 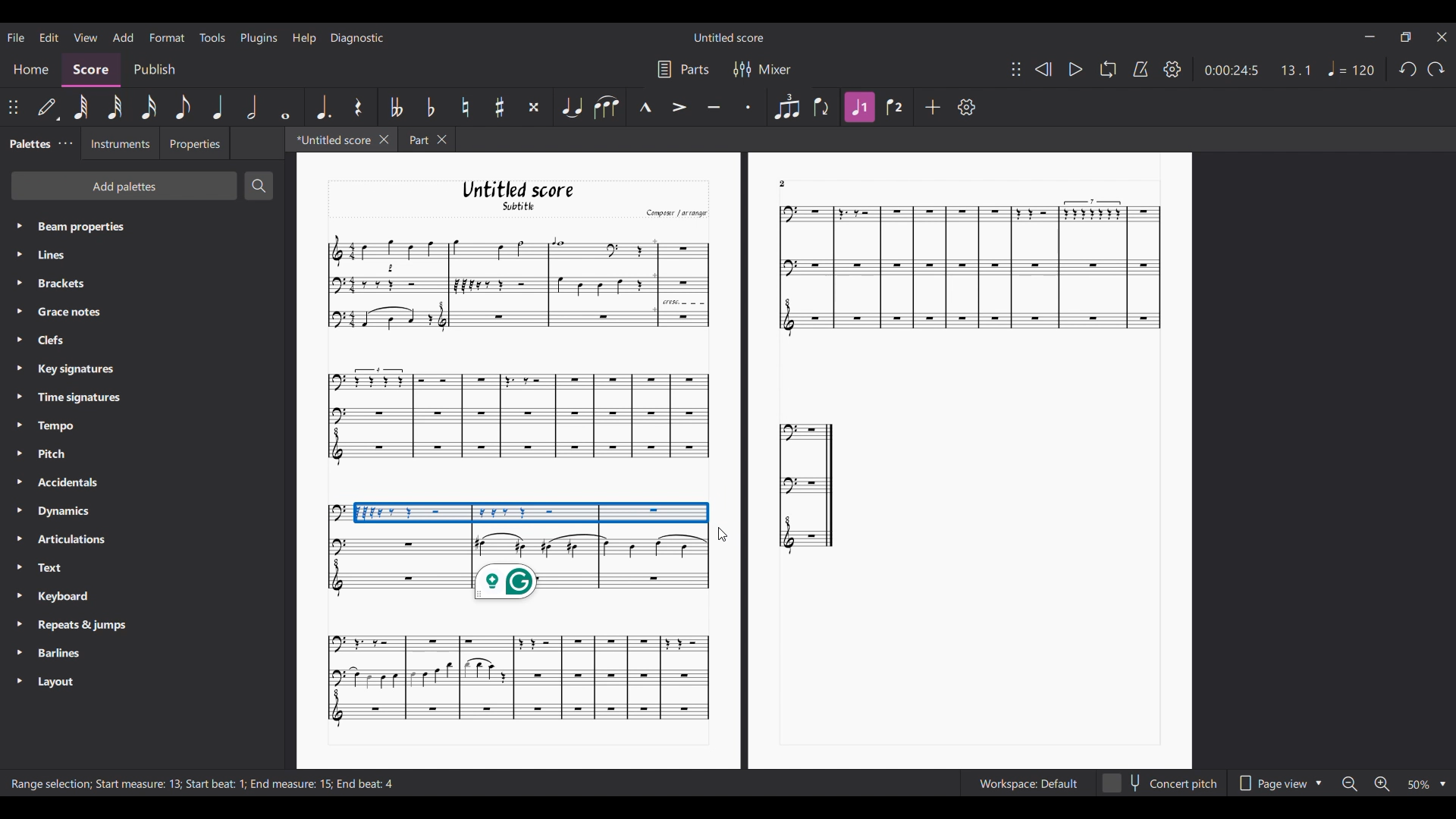 What do you see at coordinates (1370, 36) in the screenshot?
I see `Minimize` at bounding box center [1370, 36].